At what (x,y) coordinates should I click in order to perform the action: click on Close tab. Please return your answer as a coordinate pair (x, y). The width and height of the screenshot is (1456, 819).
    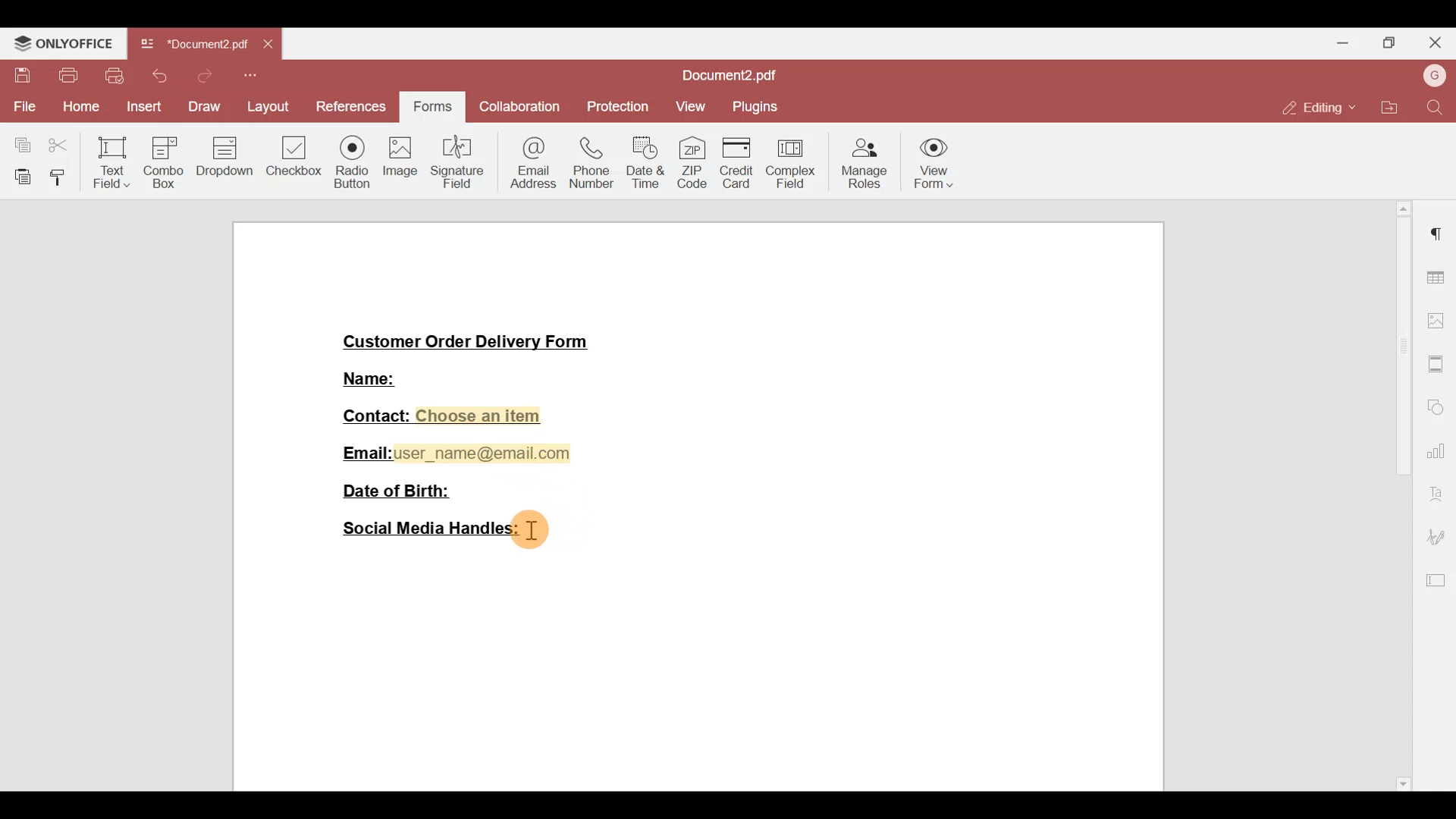
    Looking at the image, I should click on (271, 47).